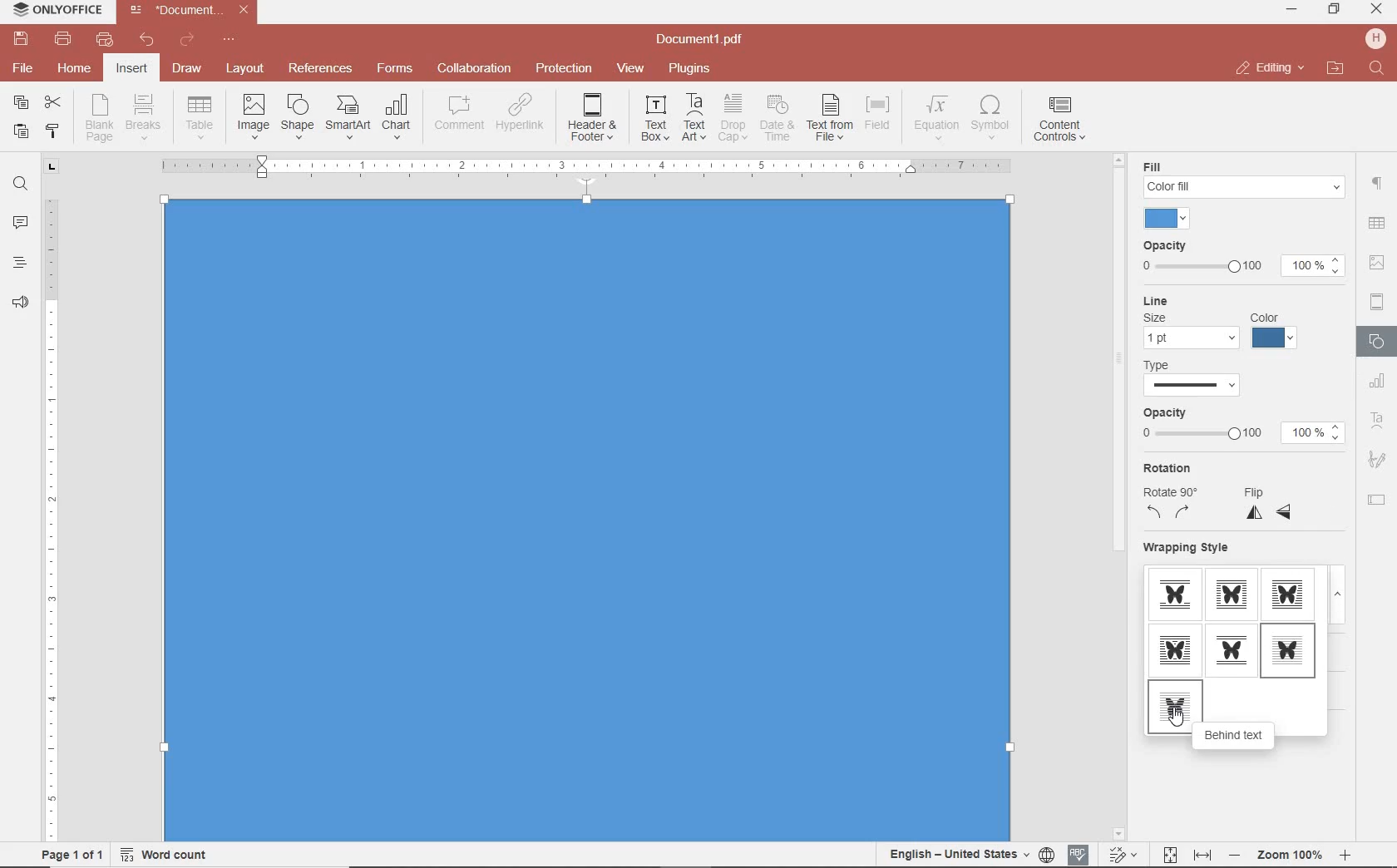 This screenshot has height=868, width=1397. Describe the element at coordinates (1378, 264) in the screenshot. I see `IMAGE` at that location.